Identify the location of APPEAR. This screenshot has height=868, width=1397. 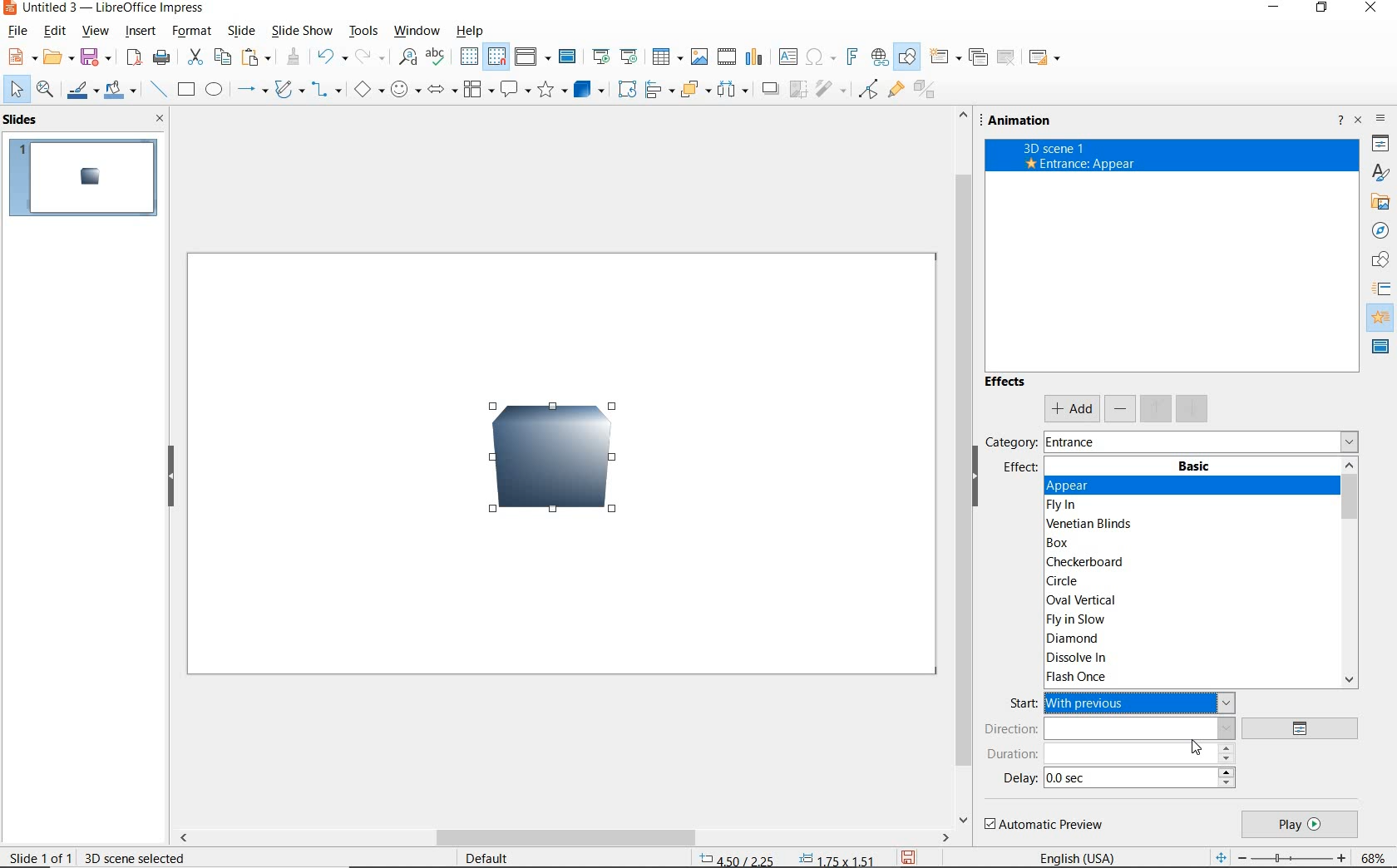
(1086, 486).